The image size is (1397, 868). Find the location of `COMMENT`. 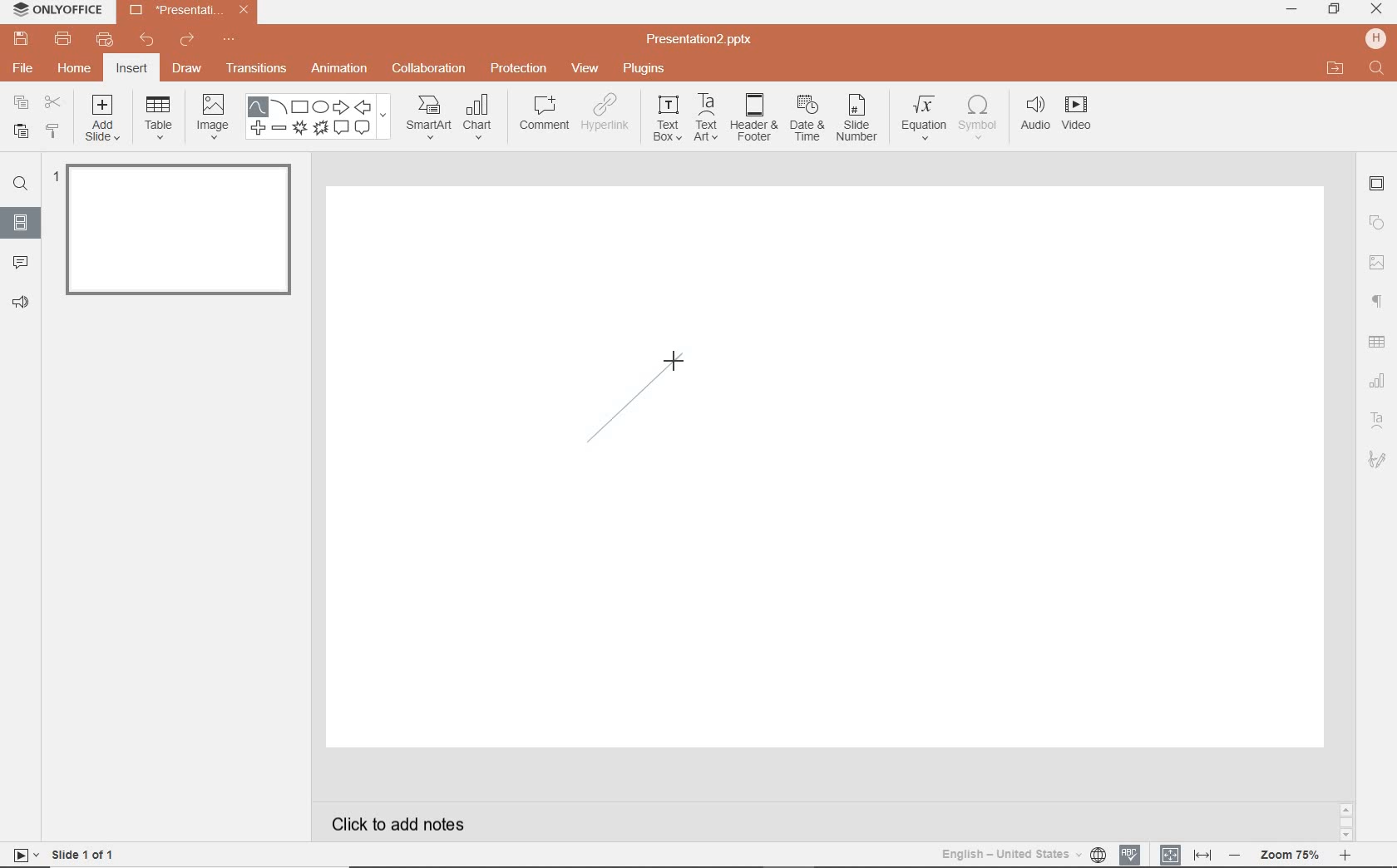

COMMENT is located at coordinates (542, 116).